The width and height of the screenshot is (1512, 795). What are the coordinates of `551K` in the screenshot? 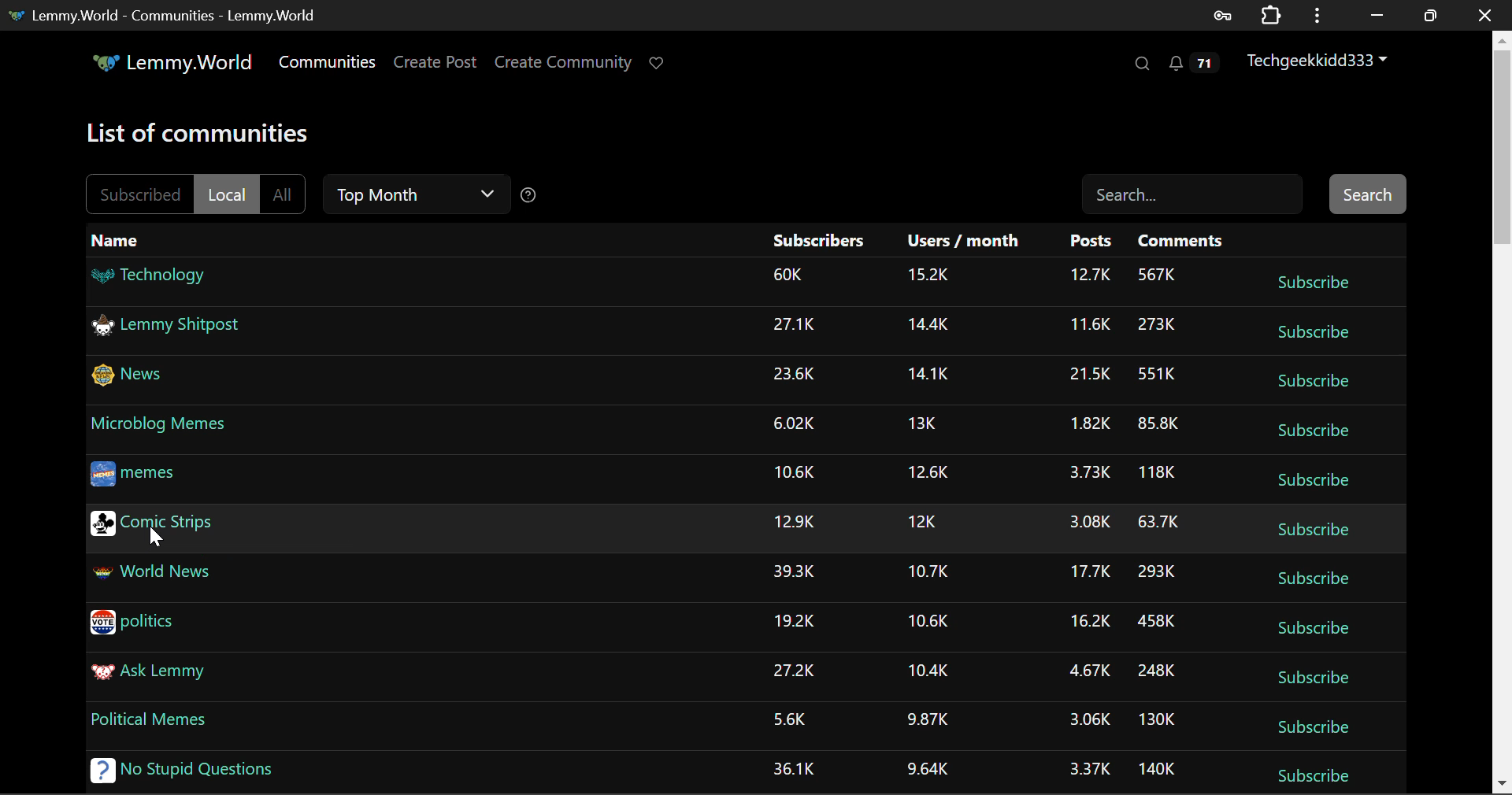 It's located at (1157, 375).